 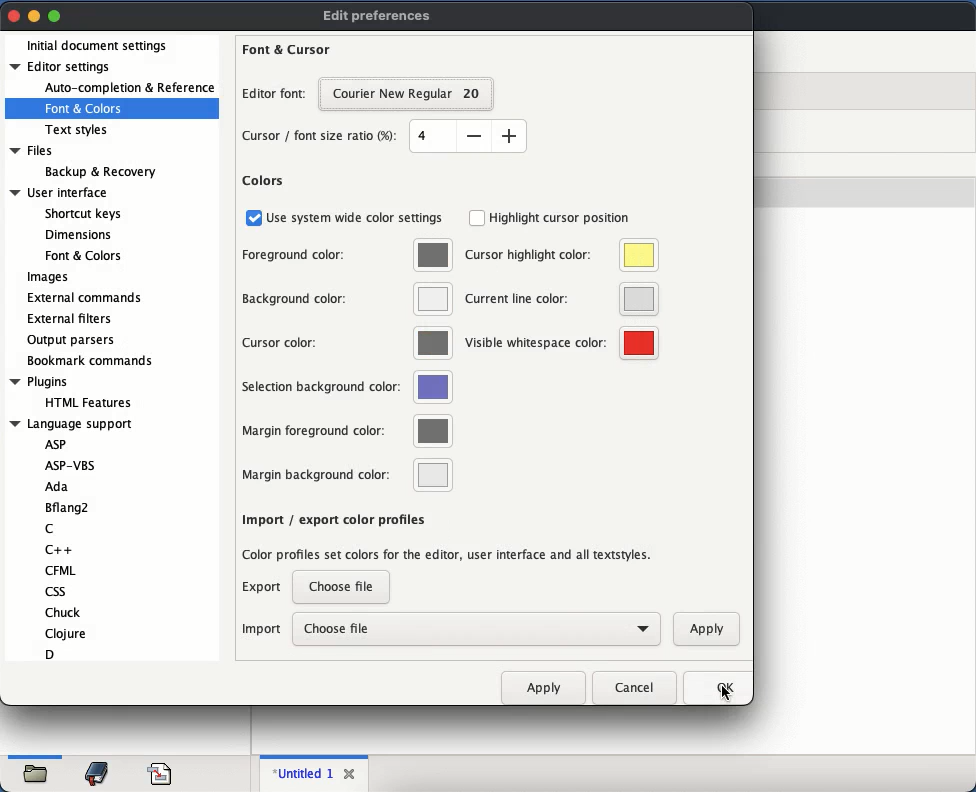 I want to click on decrease, so click(x=474, y=136).